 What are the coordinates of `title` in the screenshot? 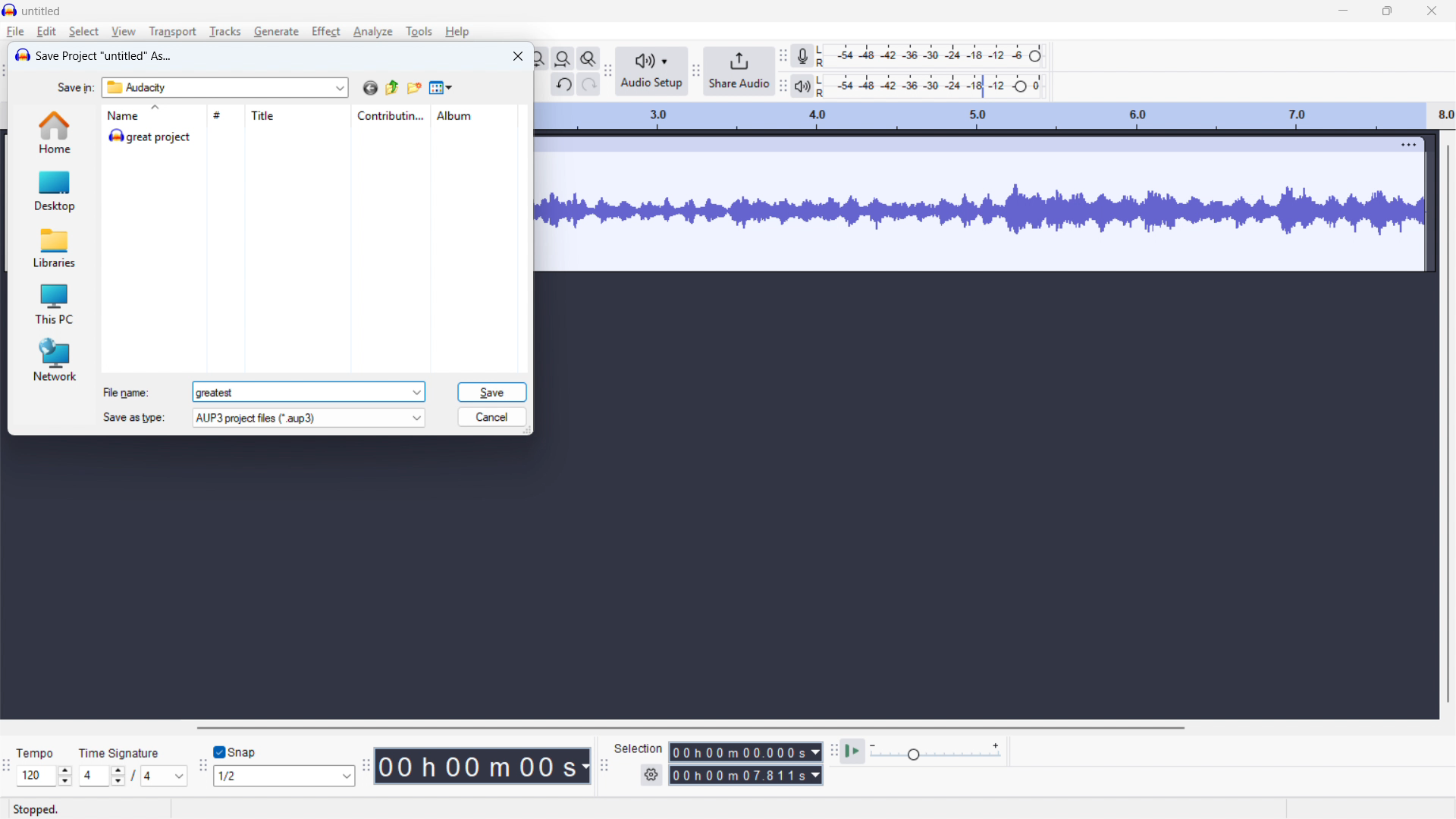 It's located at (297, 116).